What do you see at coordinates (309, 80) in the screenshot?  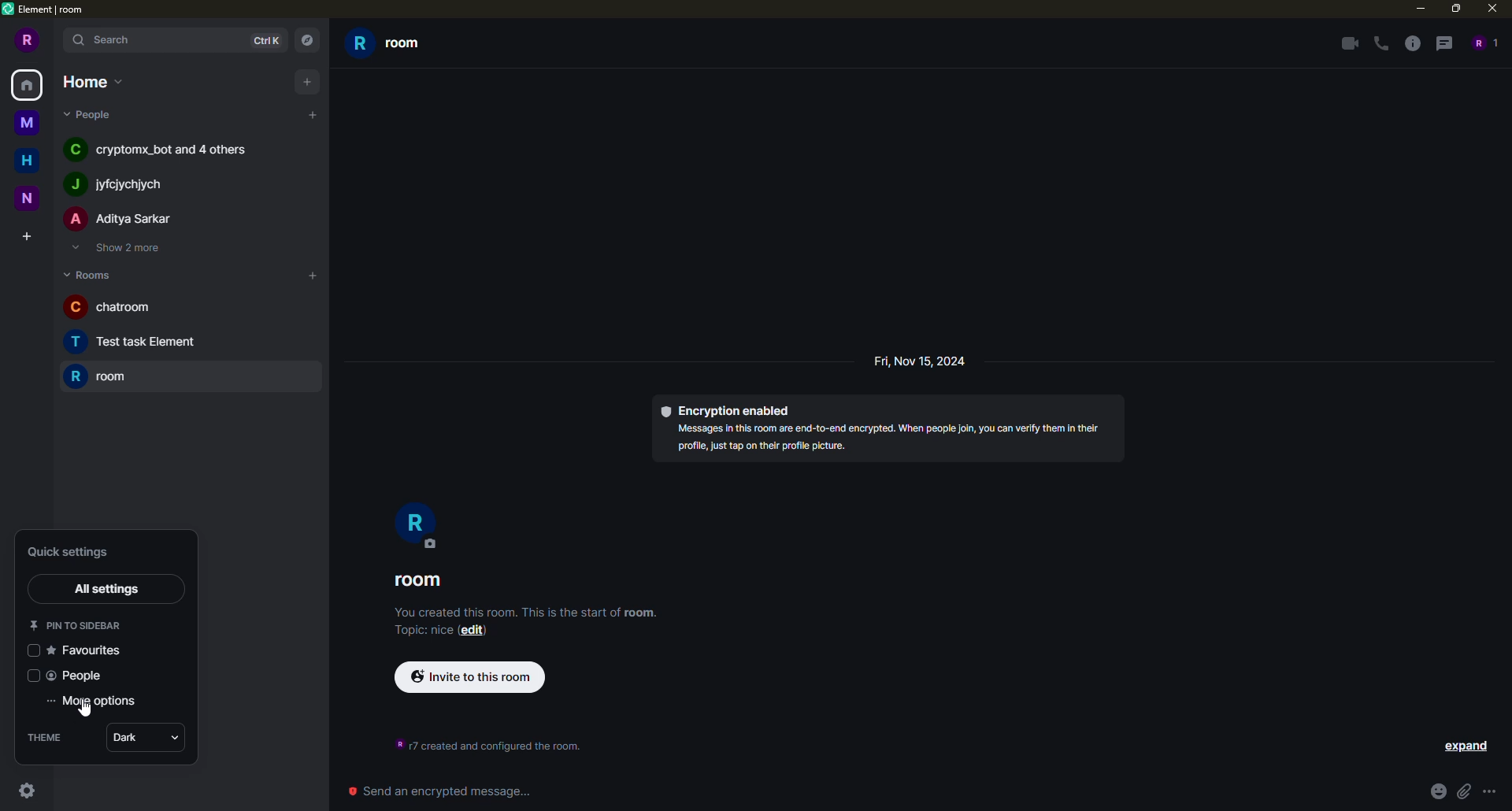 I see `add` at bounding box center [309, 80].